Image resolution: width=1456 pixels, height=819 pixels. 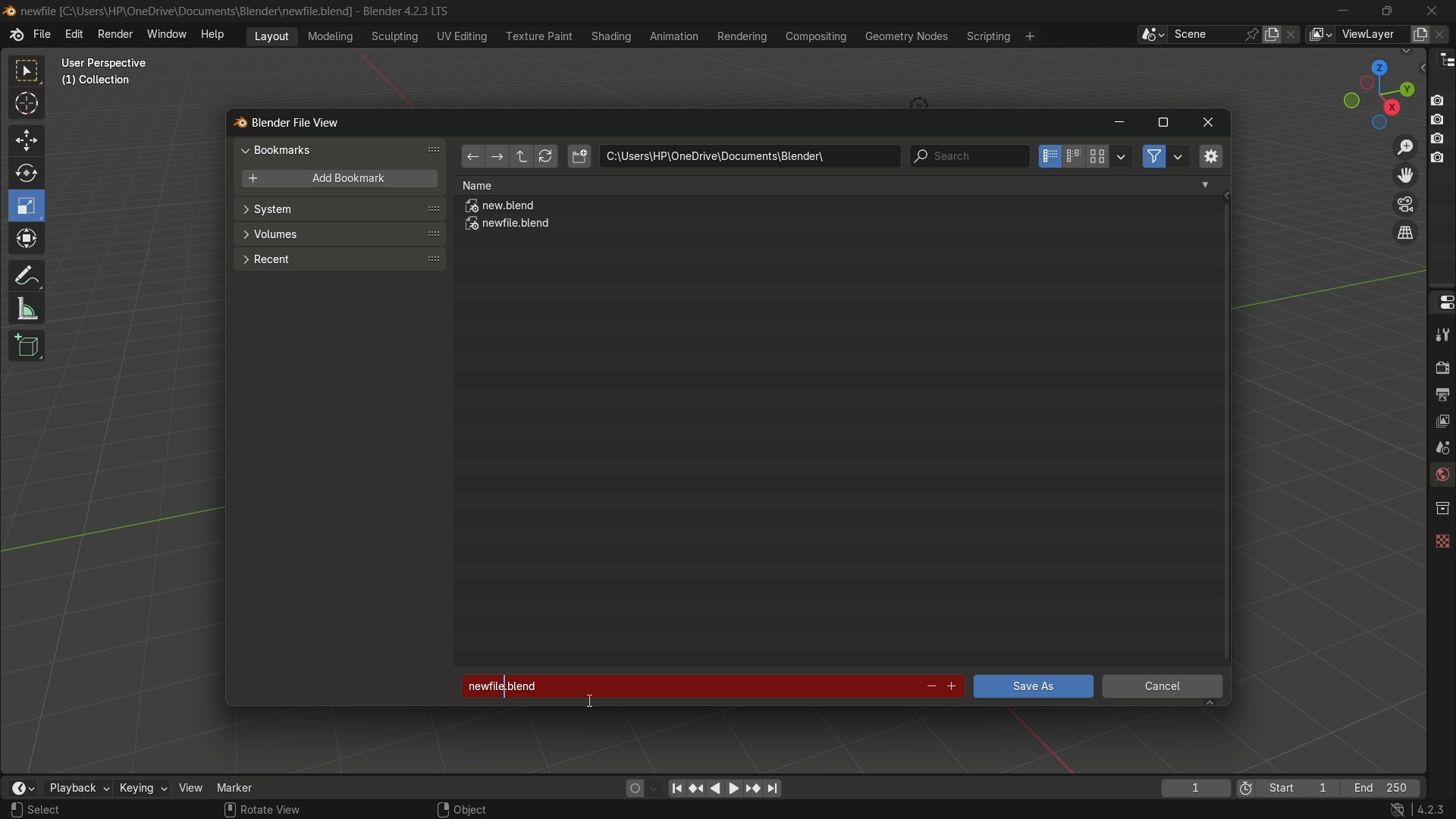 I want to click on User prepective, so click(x=111, y=63).